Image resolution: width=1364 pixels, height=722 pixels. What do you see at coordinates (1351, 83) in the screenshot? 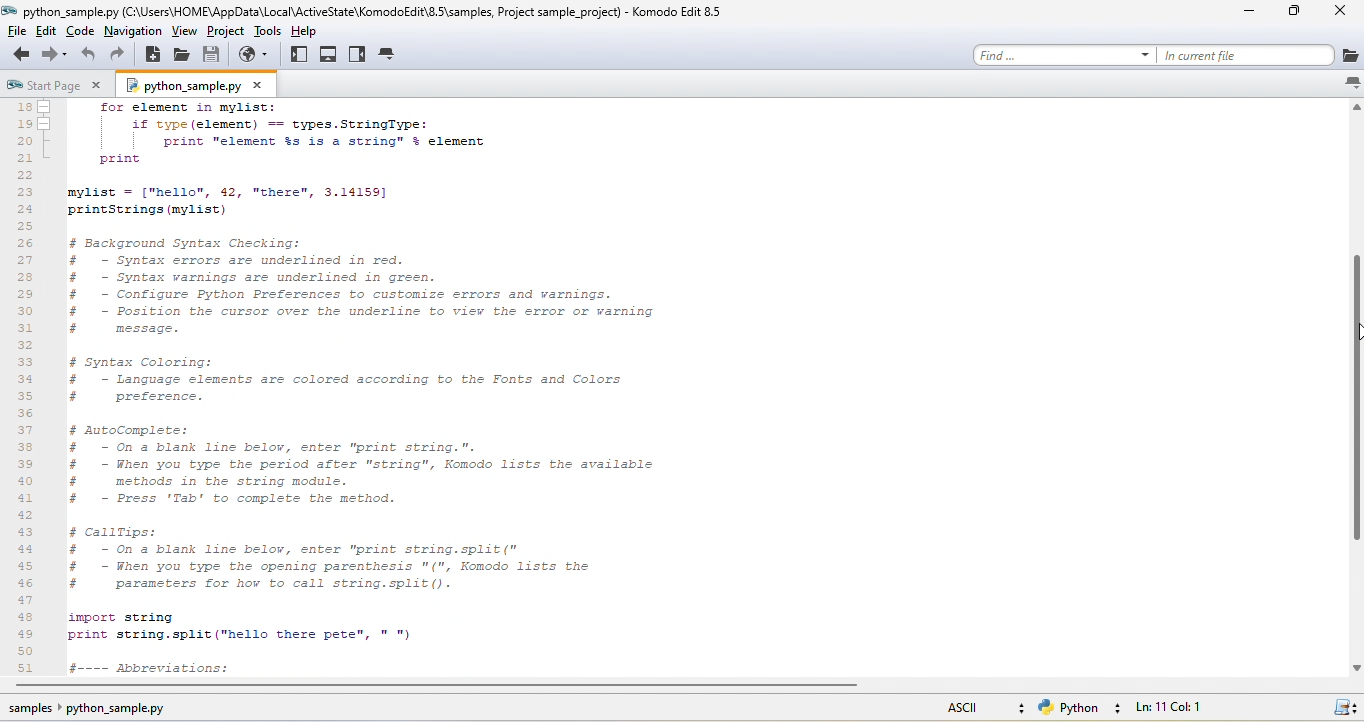
I see `list all tabs` at bounding box center [1351, 83].